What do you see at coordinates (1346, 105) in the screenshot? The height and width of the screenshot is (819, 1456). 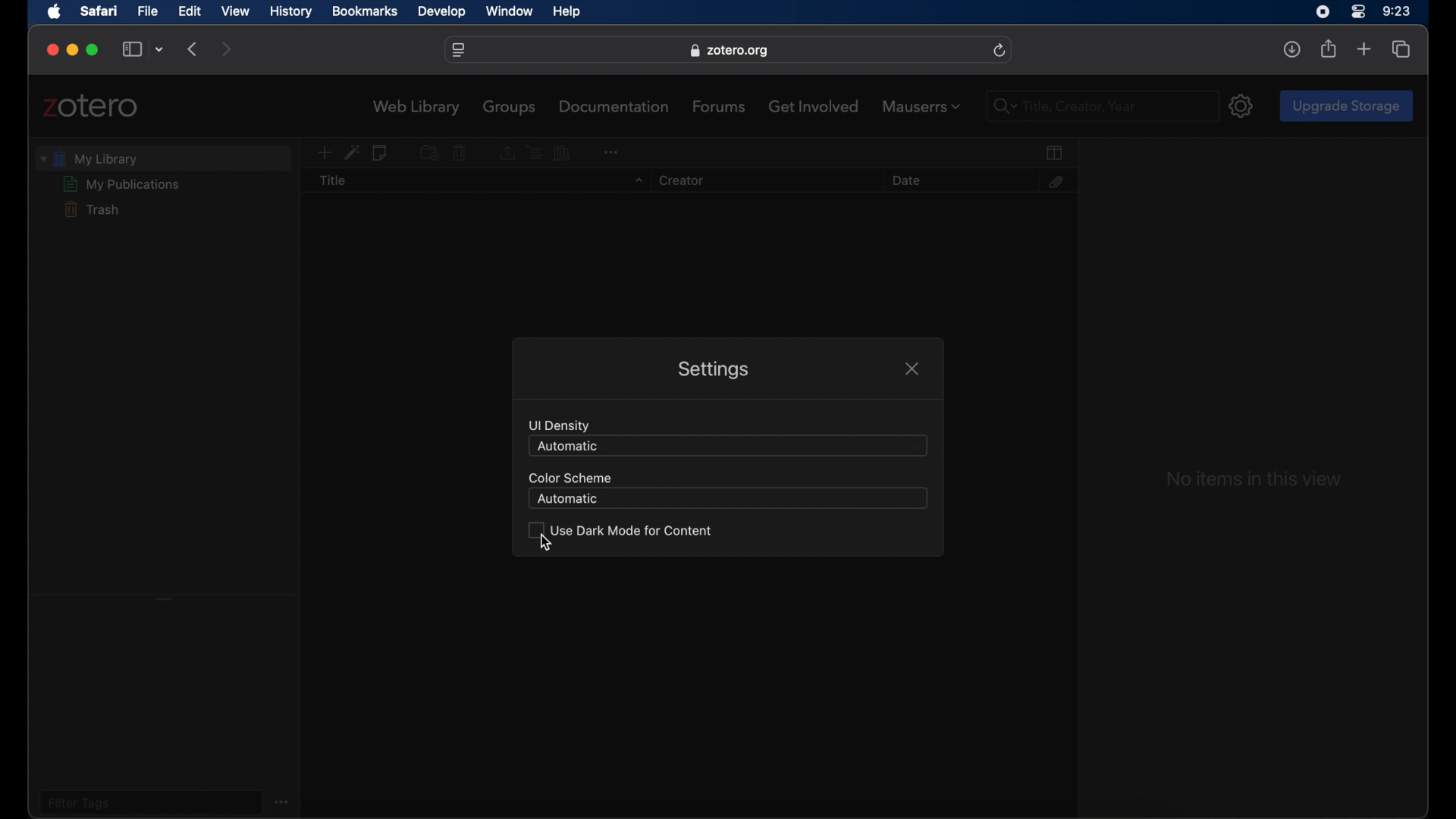 I see `upgrade storage` at bounding box center [1346, 105].